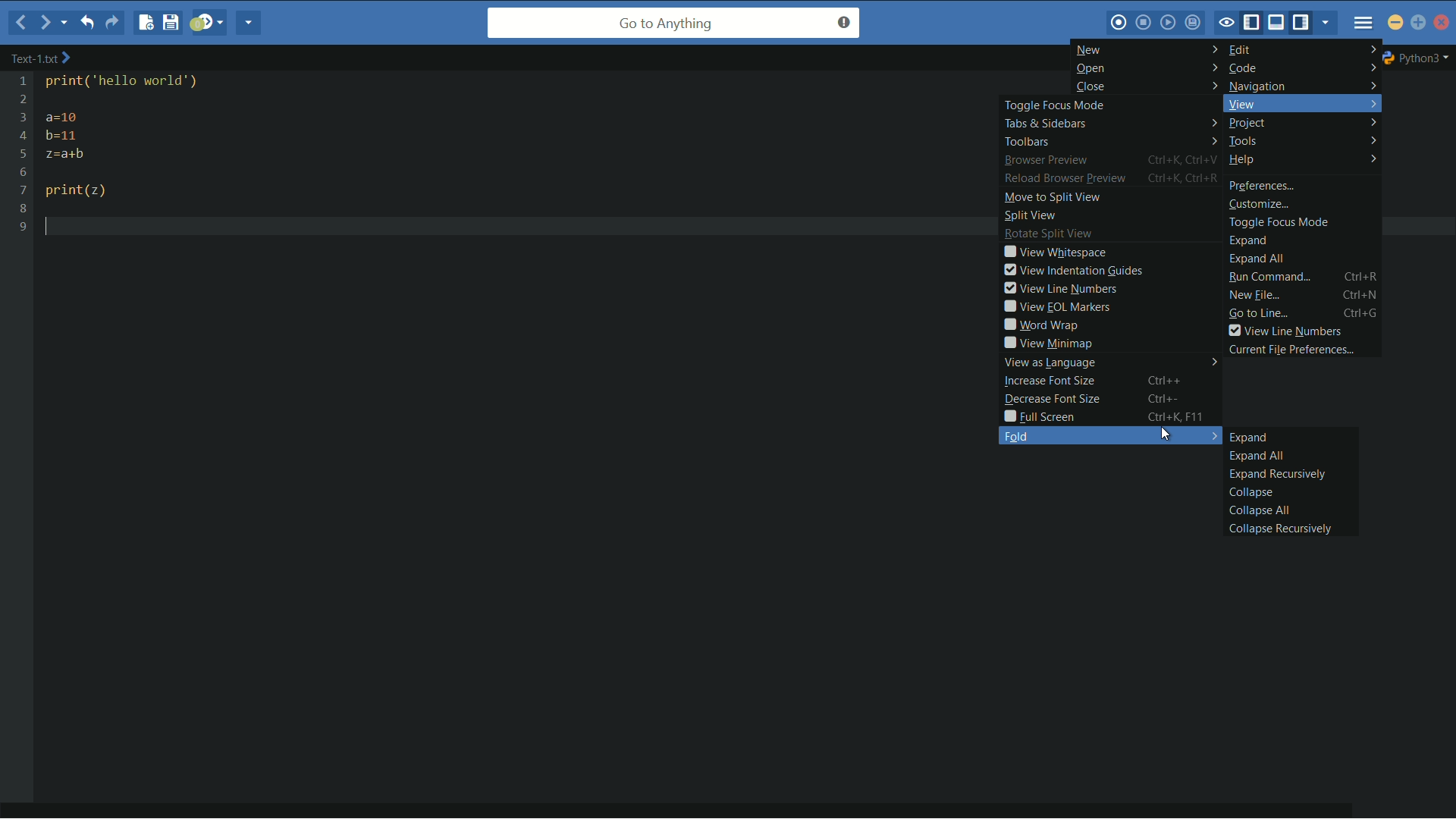 Image resolution: width=1456 pixels, height=819 pixels. What do you see at coordinates (1304, 50) in the screenshot?
I see `edit` at bounding box center [1304, 50].